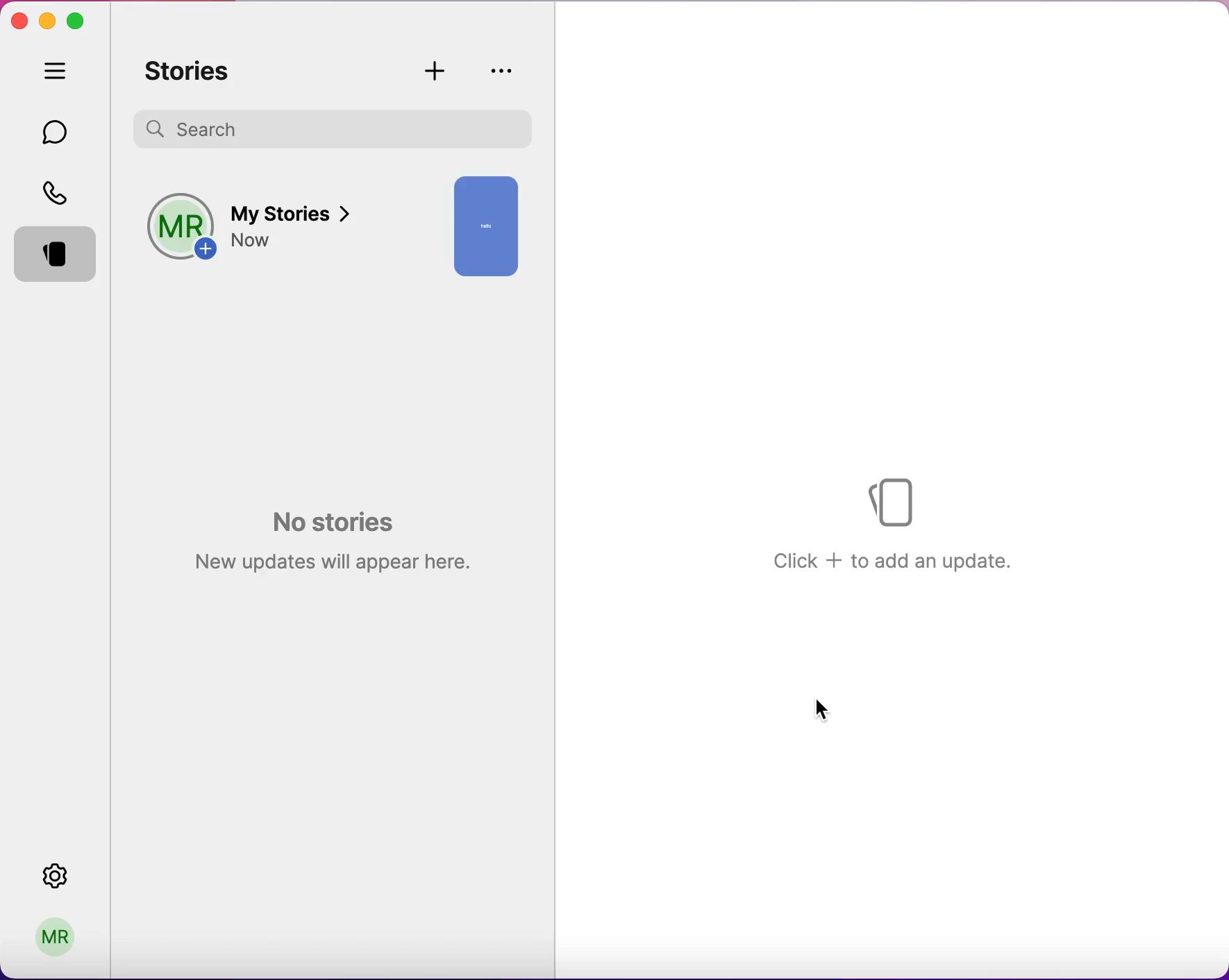 The image size is (1229, 980). I want to click on calls, so click(59, 192).